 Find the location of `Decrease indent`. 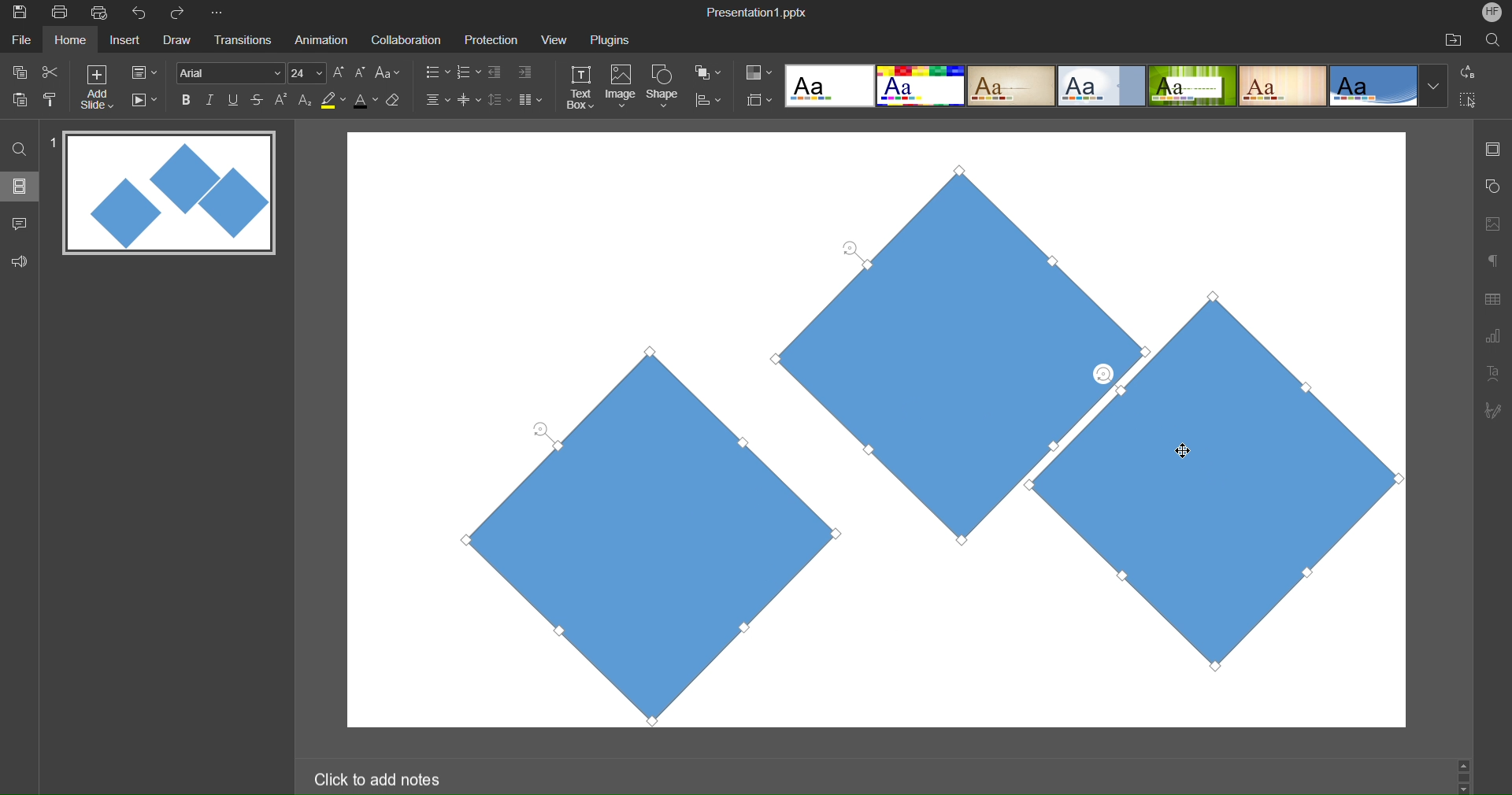

Decrease indent is located at coordinates (498, 74).